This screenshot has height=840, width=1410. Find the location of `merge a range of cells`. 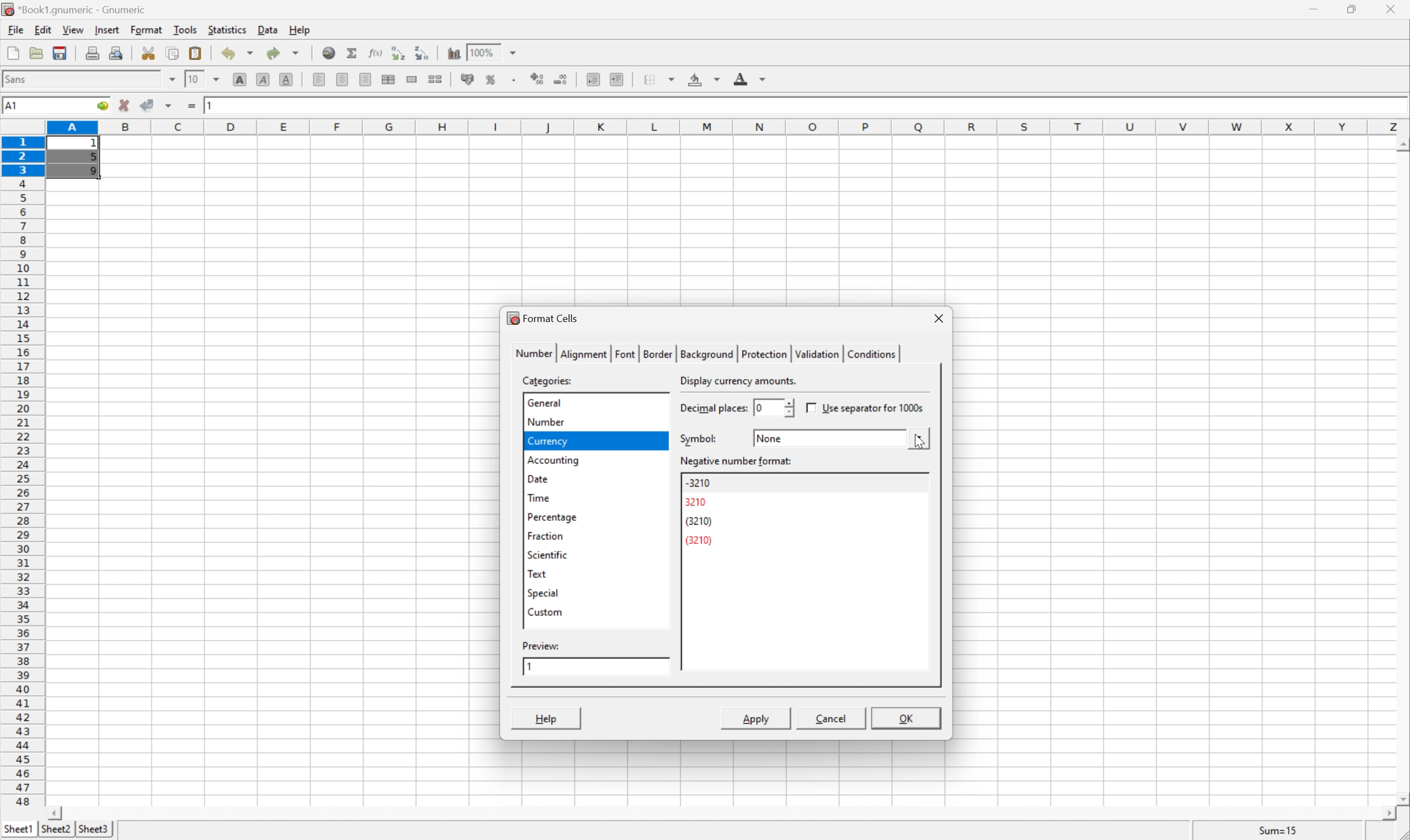

merge a range of cells is located at coordinates (415, 79).